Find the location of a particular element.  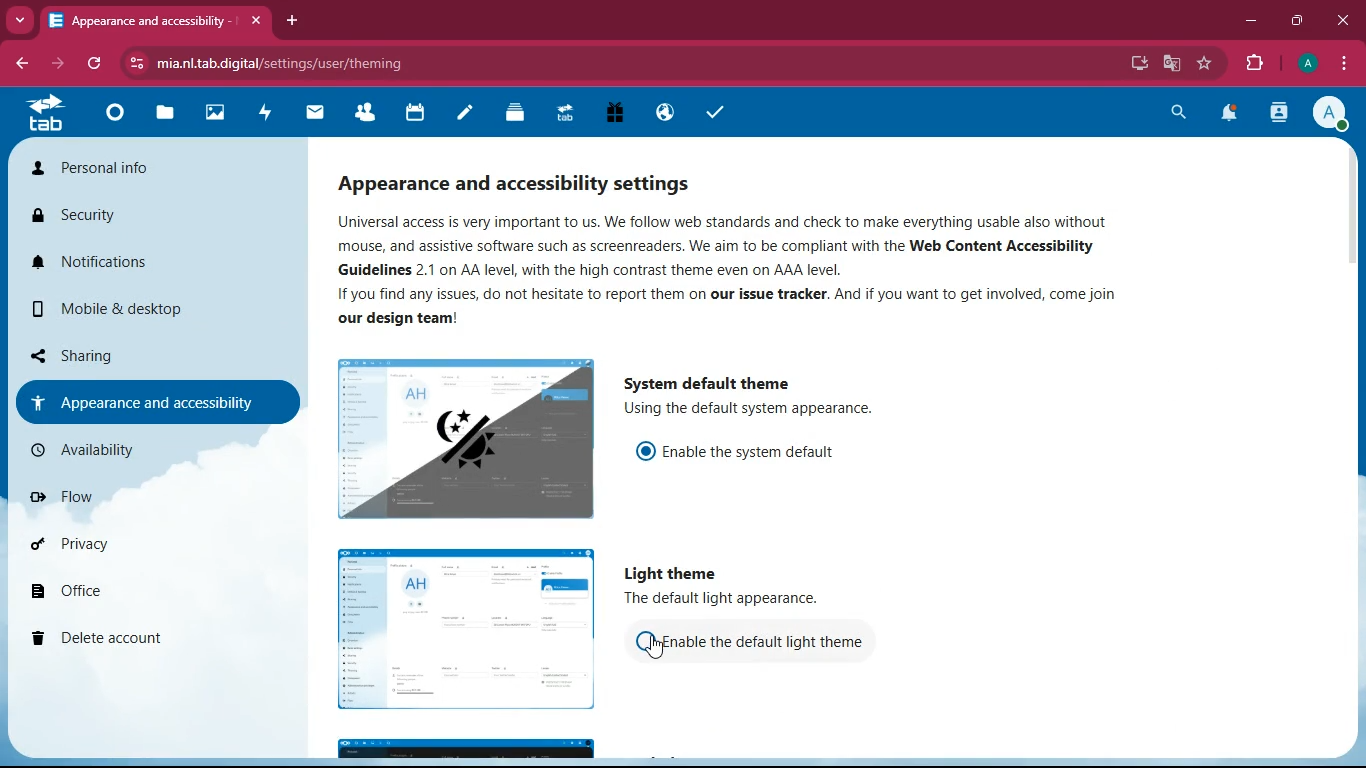

delete is located at coordinates (152, 636).